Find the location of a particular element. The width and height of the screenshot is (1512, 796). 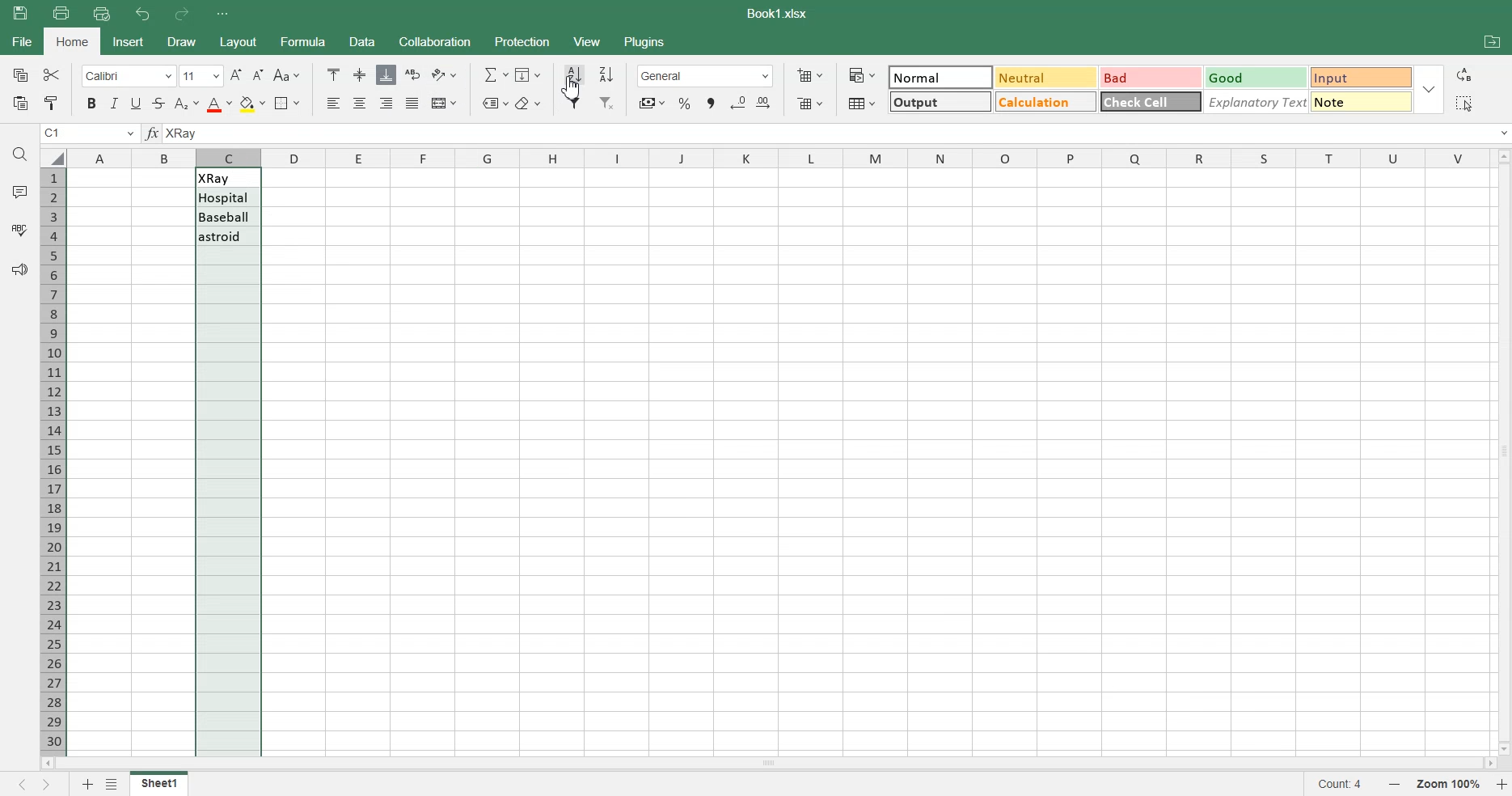

Horizontal Scroll Bar is located at coordinates (768, 762).